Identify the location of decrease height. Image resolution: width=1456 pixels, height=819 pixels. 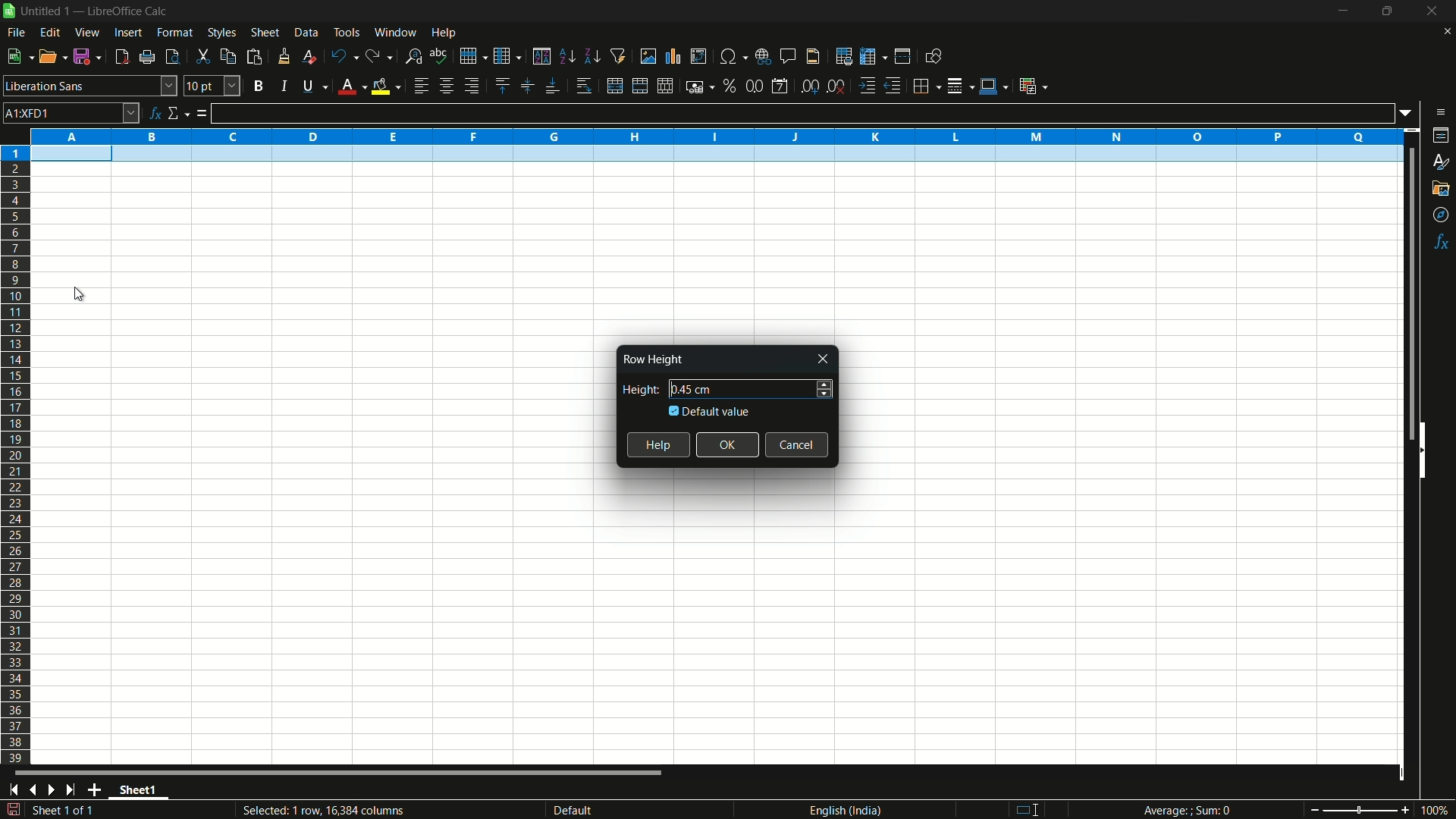
(1849, 881).